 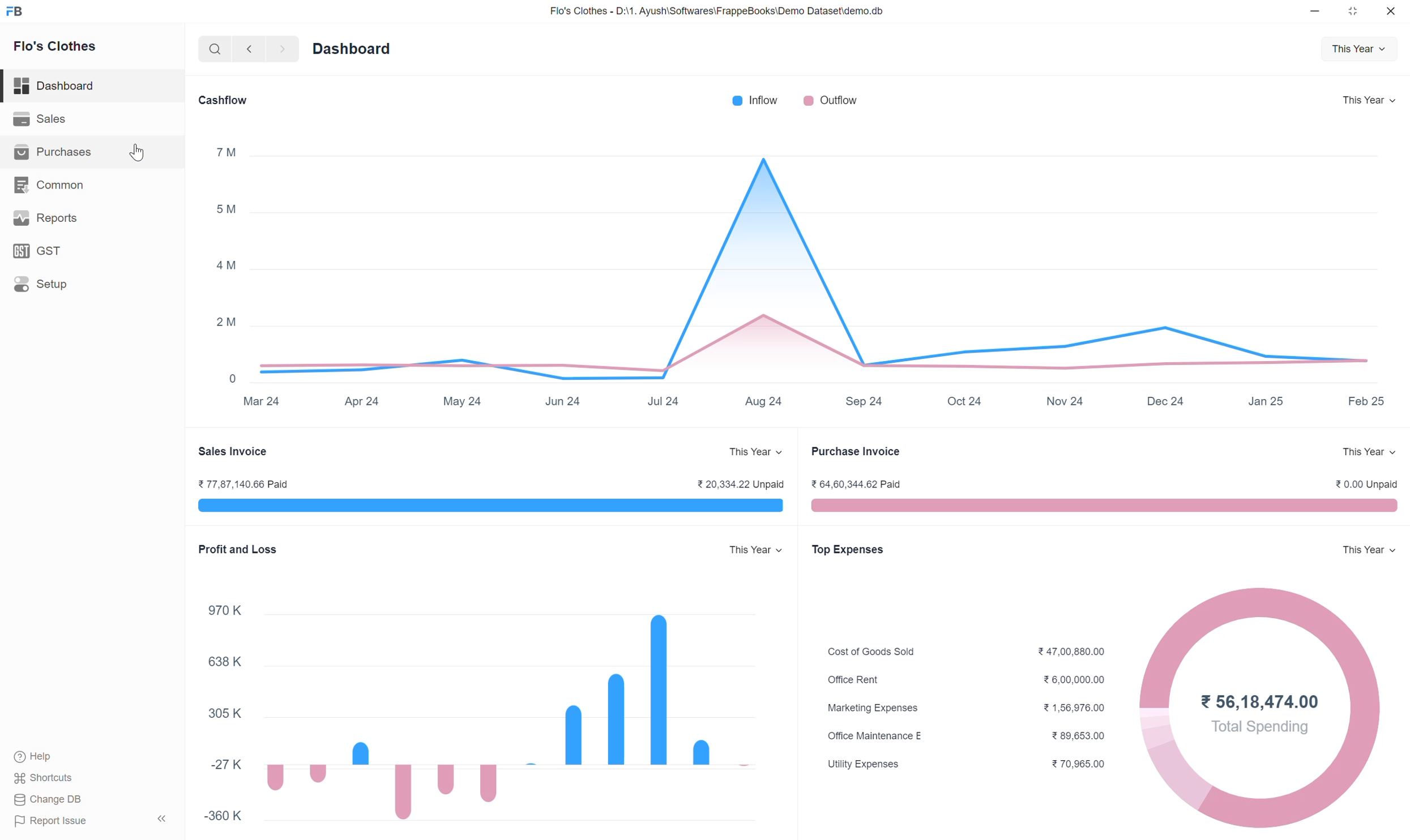 What do you see at coordinates (92, 119) in the screenshot?
I see `Sales` at bounding box center [92, 119].